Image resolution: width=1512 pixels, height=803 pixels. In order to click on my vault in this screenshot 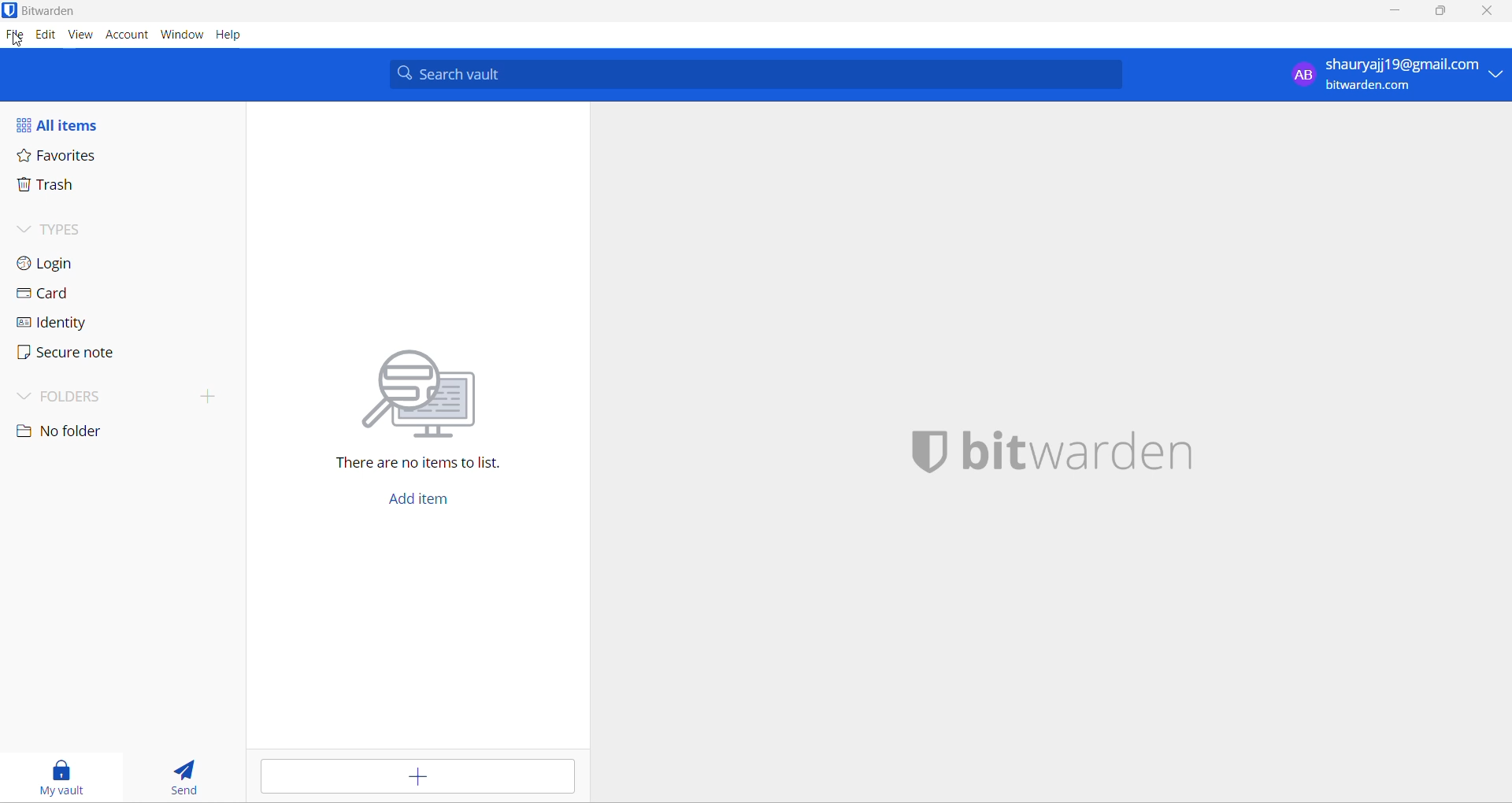, I will do `click(62, 775)`.